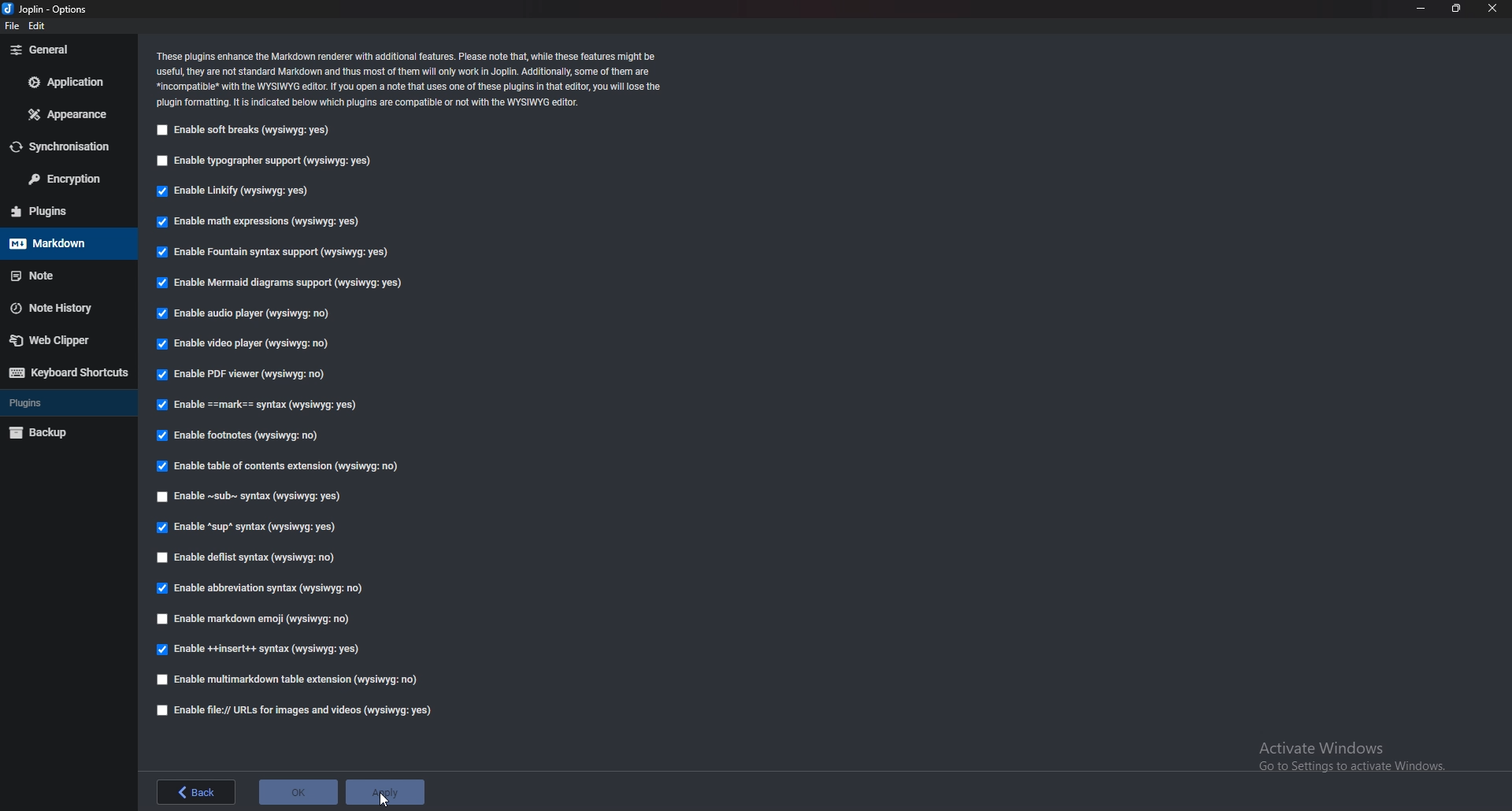 The width and height of the screenshot is (1512, 811). What do you see at coordinates (258, 620) in the screenshot?
I see `Enable markdown emoji` at bounding box center [258, 620].